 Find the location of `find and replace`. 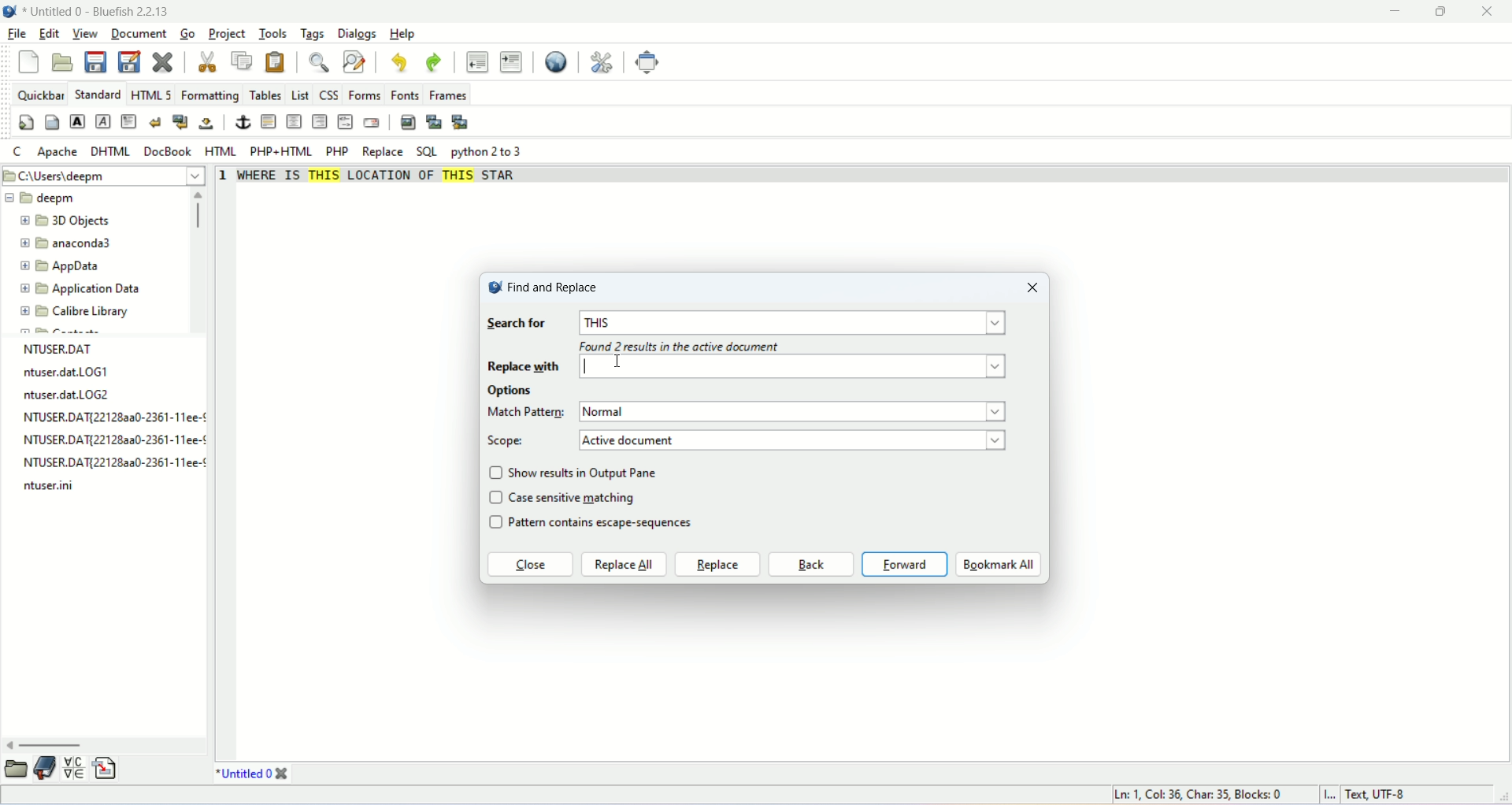

find and replace is located at coordinates (354, 61).